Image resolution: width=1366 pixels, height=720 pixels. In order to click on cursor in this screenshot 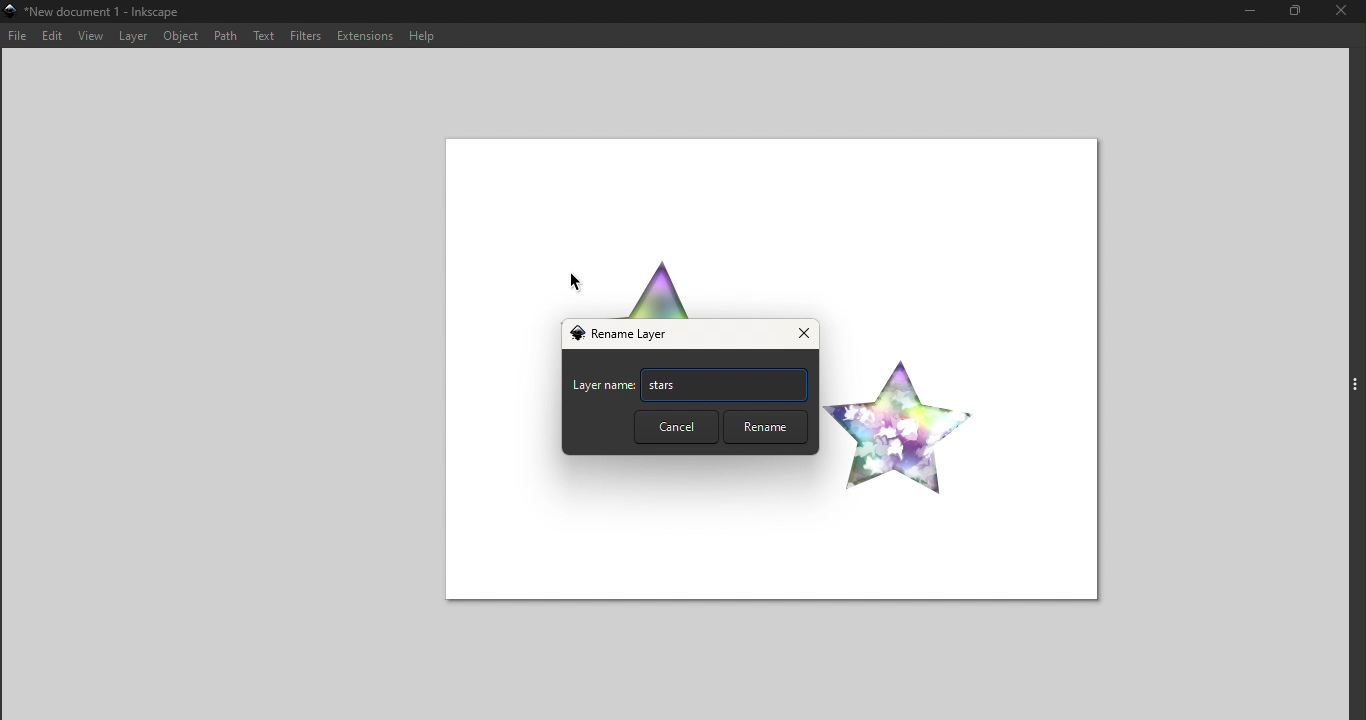, I will do `click(578, 284)`.